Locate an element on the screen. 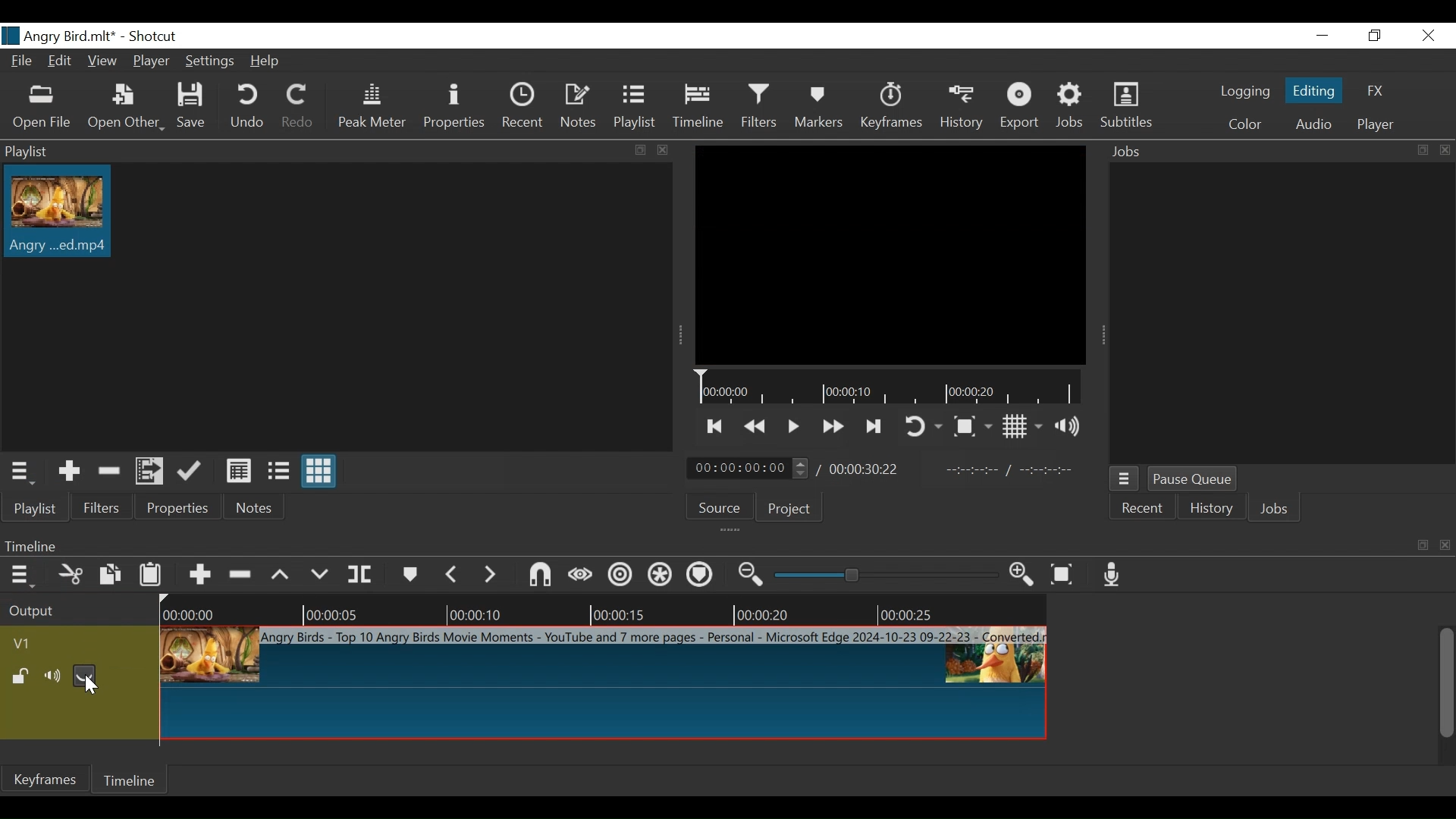 This screenshot has width=1456, height=819. View as icons is located at coordinates (320, 472).